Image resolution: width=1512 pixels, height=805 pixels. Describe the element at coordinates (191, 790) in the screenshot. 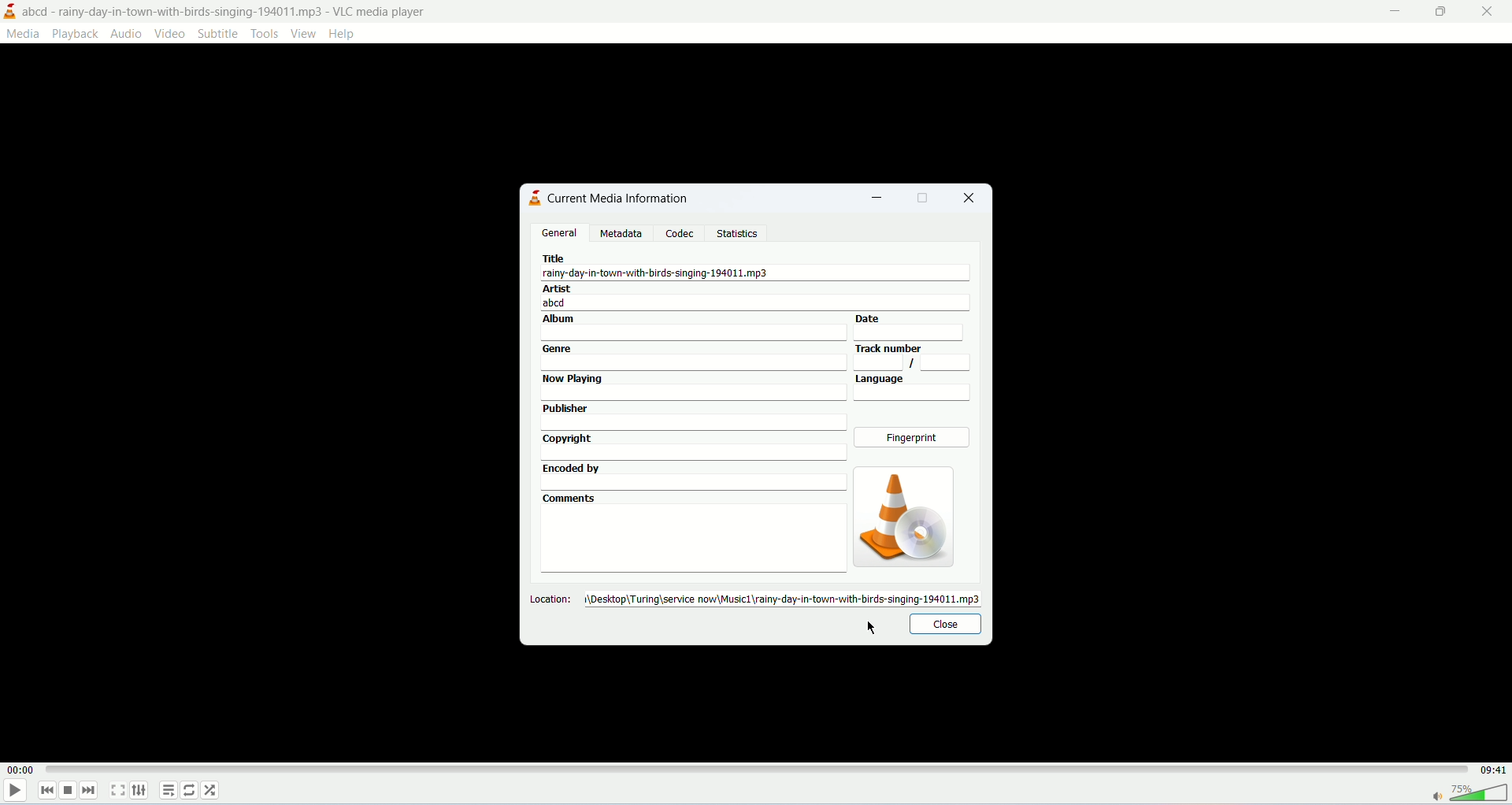

I see `loop` at that location.